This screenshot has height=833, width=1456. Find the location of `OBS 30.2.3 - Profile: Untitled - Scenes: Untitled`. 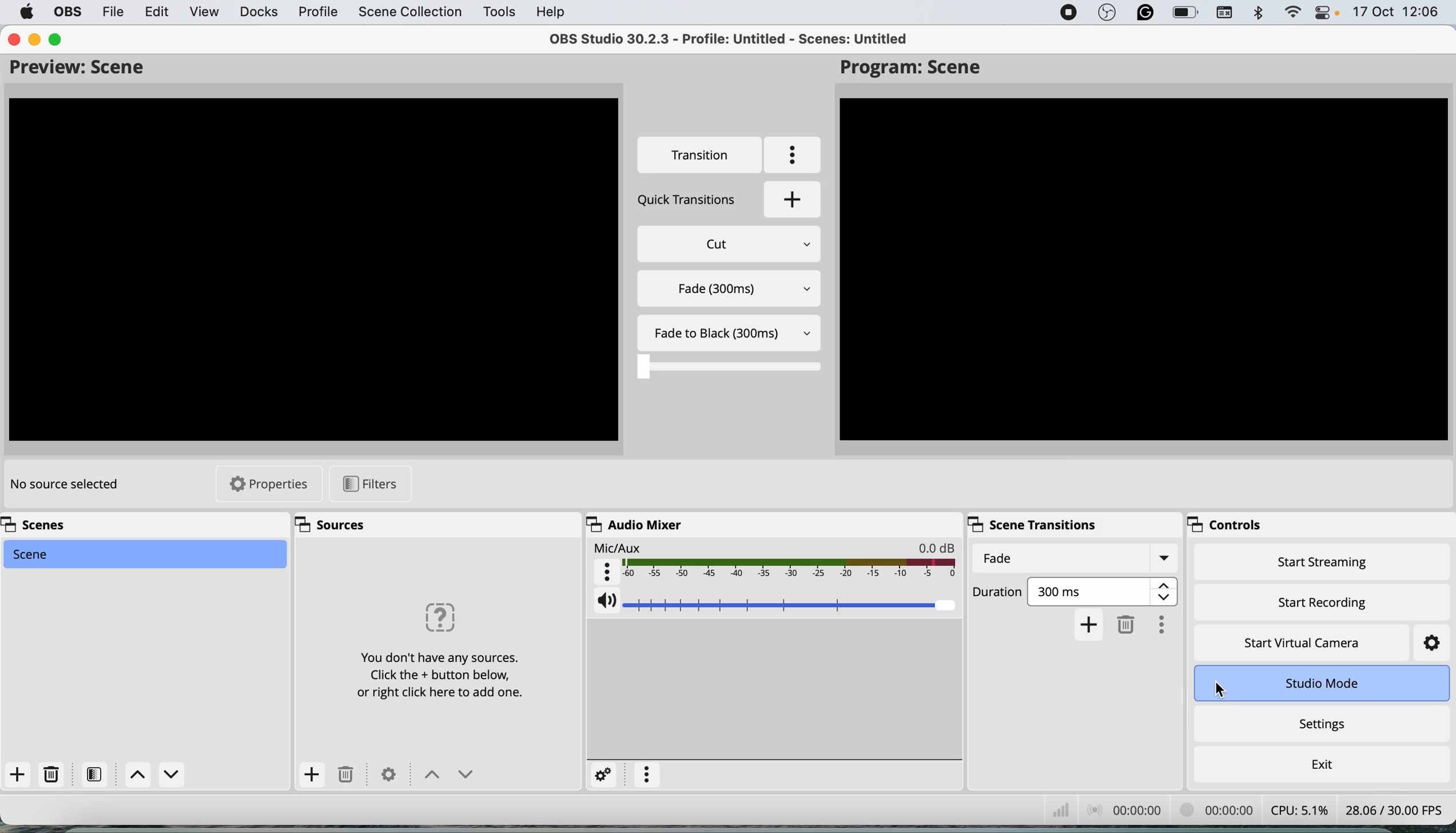

OBS 30.2.3 - Profile: Untitled - Scenes: Untitled is located at coordinates (731, 38).